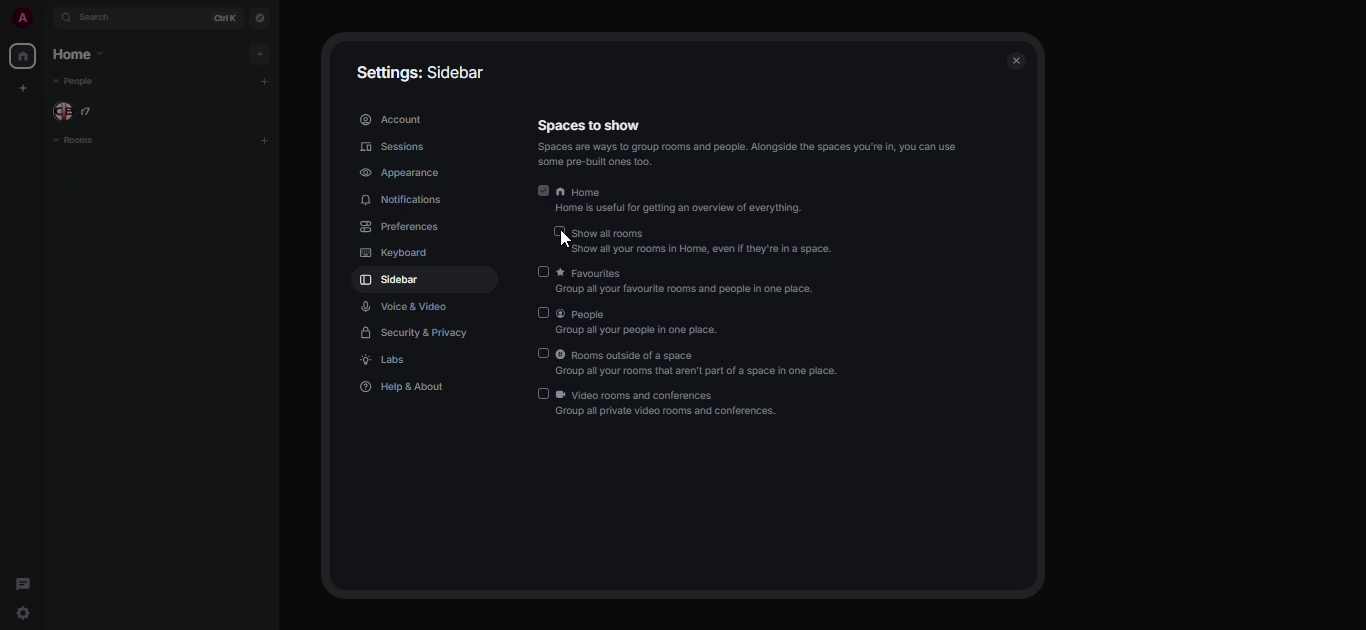 The image size is (1366, 630). Describe the element at coordinates (1018, 60) in the screenshot. I see `close` at that location.